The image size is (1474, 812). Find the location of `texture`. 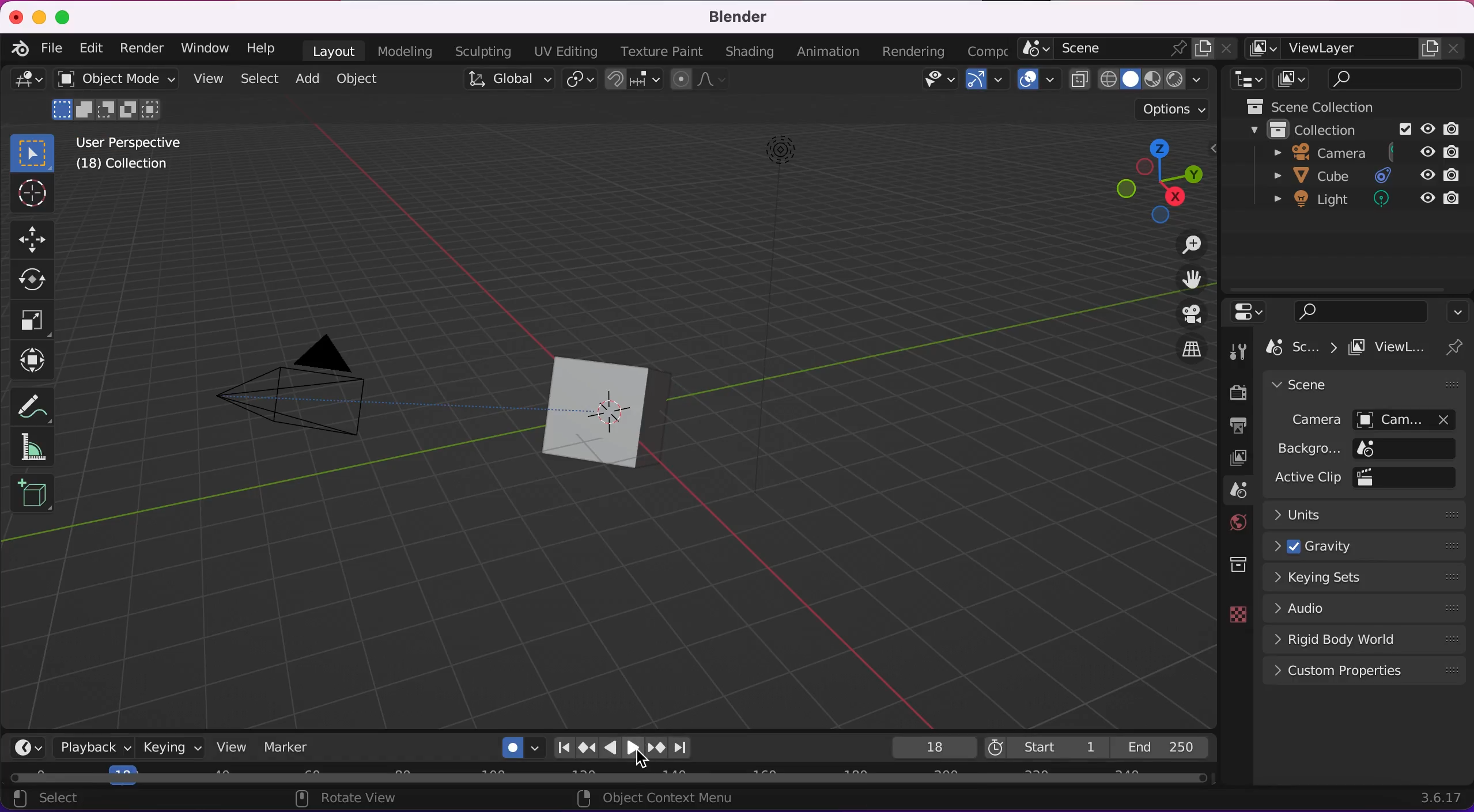

texture is located at coordinates (1237, 614).